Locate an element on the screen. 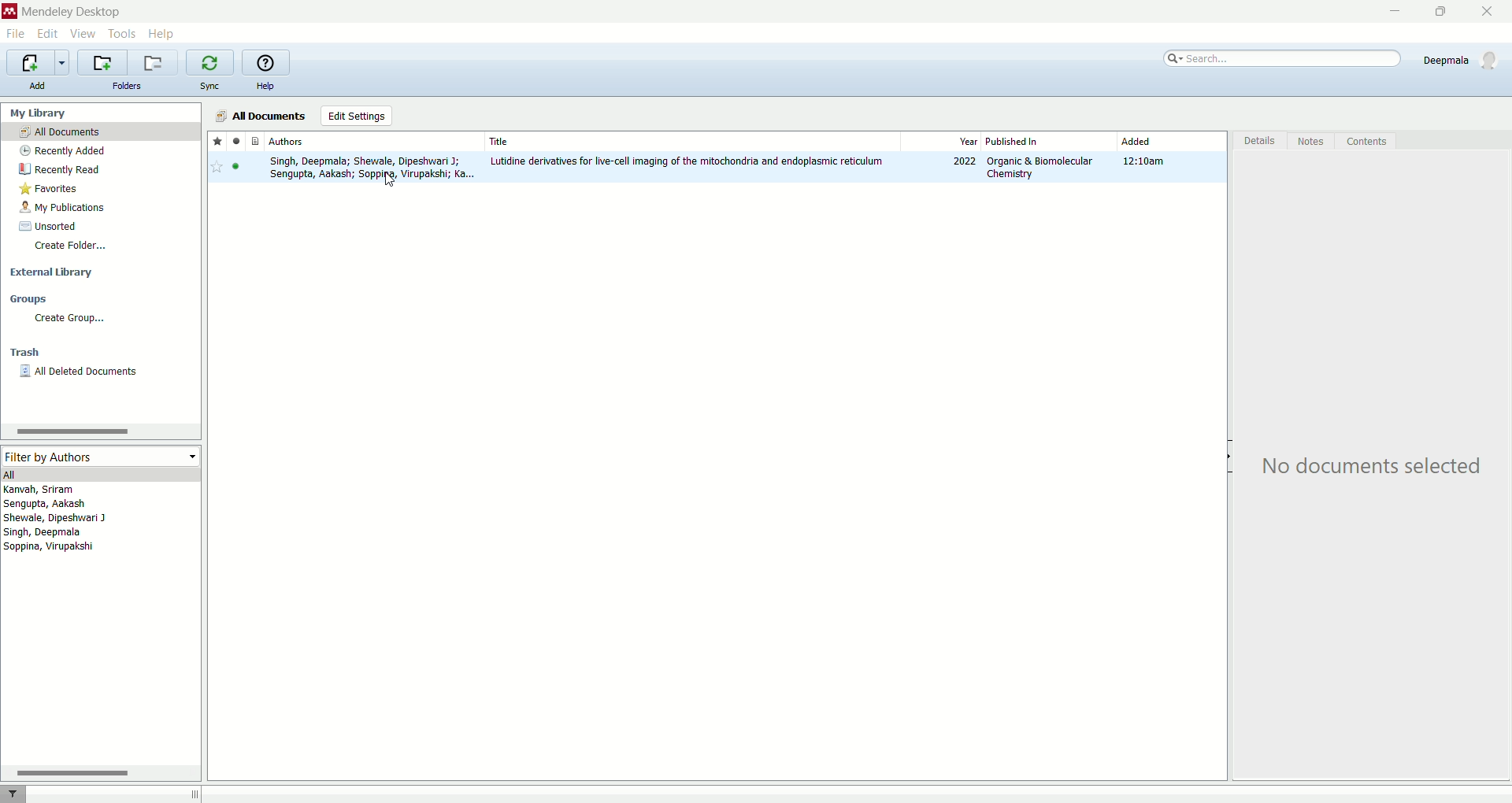  No documents selected is located at coordinates (1371, 464).